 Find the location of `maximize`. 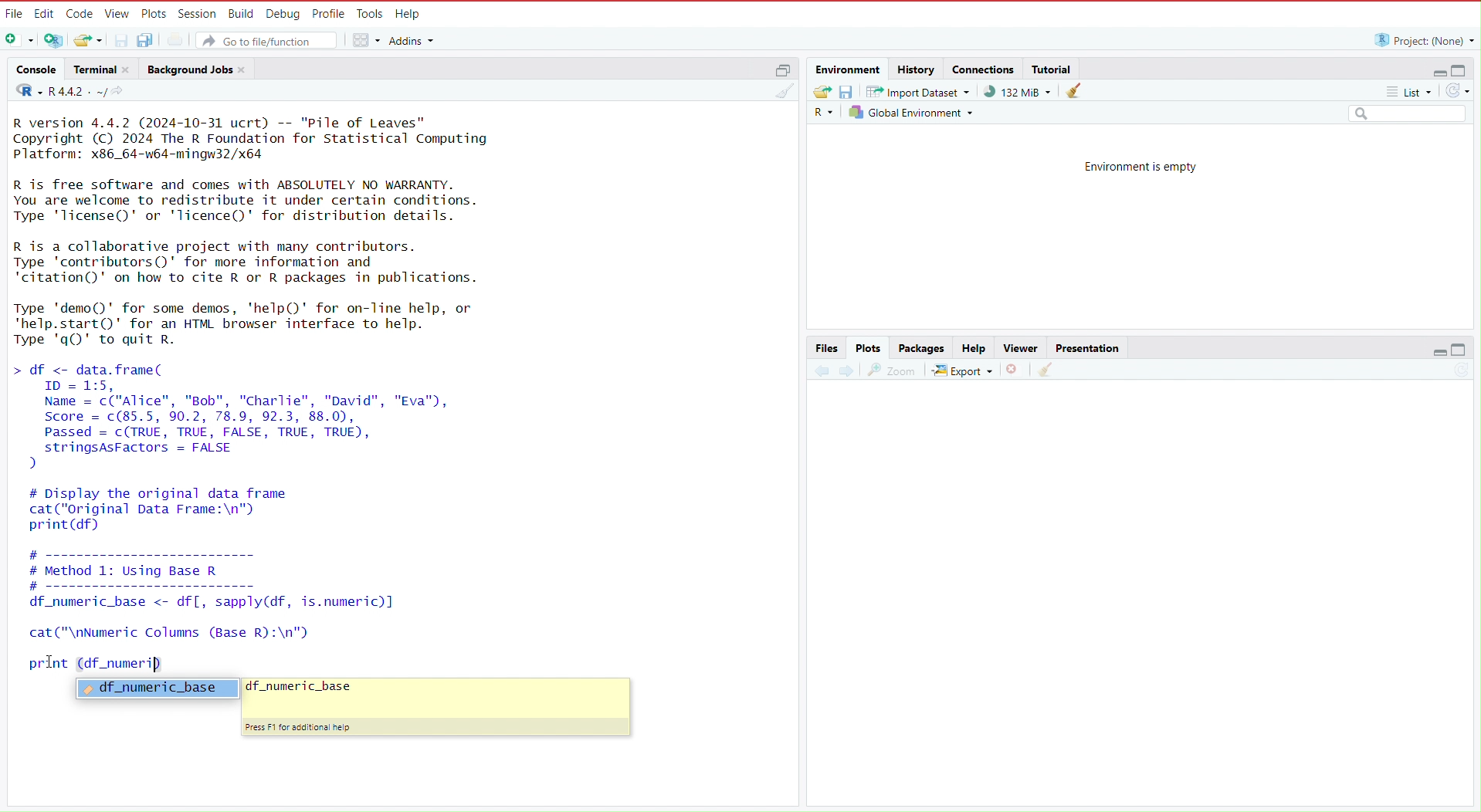

maximize is located at coordinates (1466, 68).